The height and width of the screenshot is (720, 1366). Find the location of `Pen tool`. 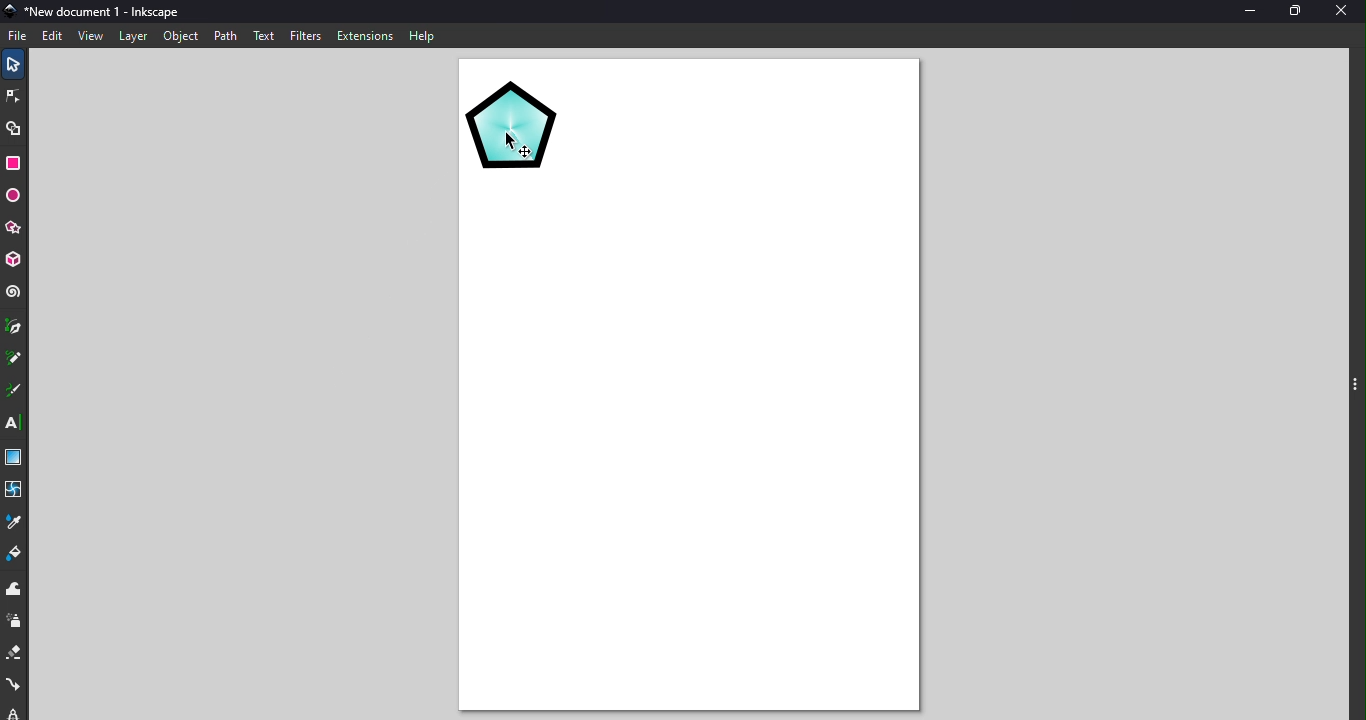

Pen tool is located at coordinates (13, 328).